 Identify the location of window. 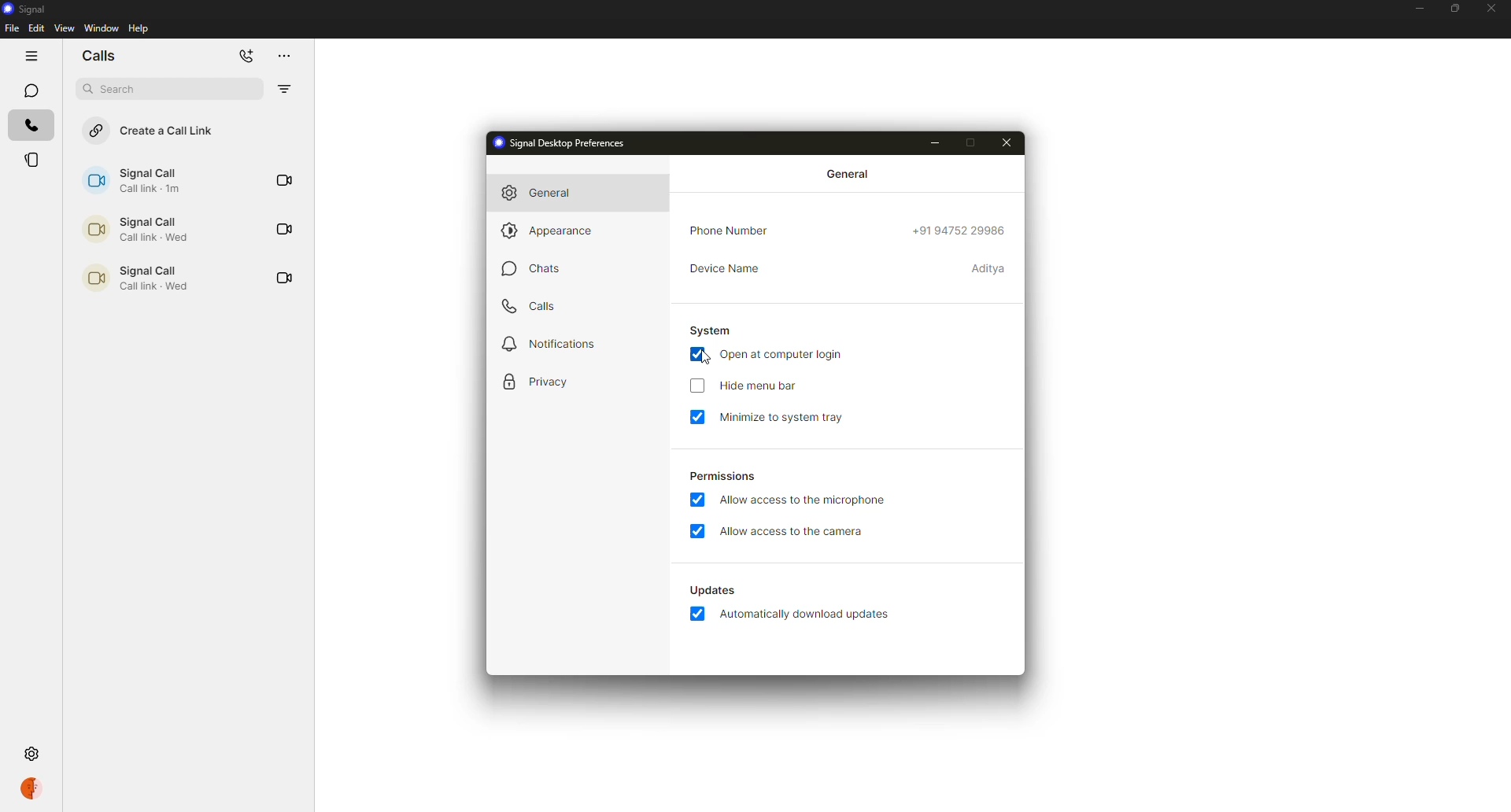
(102, 28).